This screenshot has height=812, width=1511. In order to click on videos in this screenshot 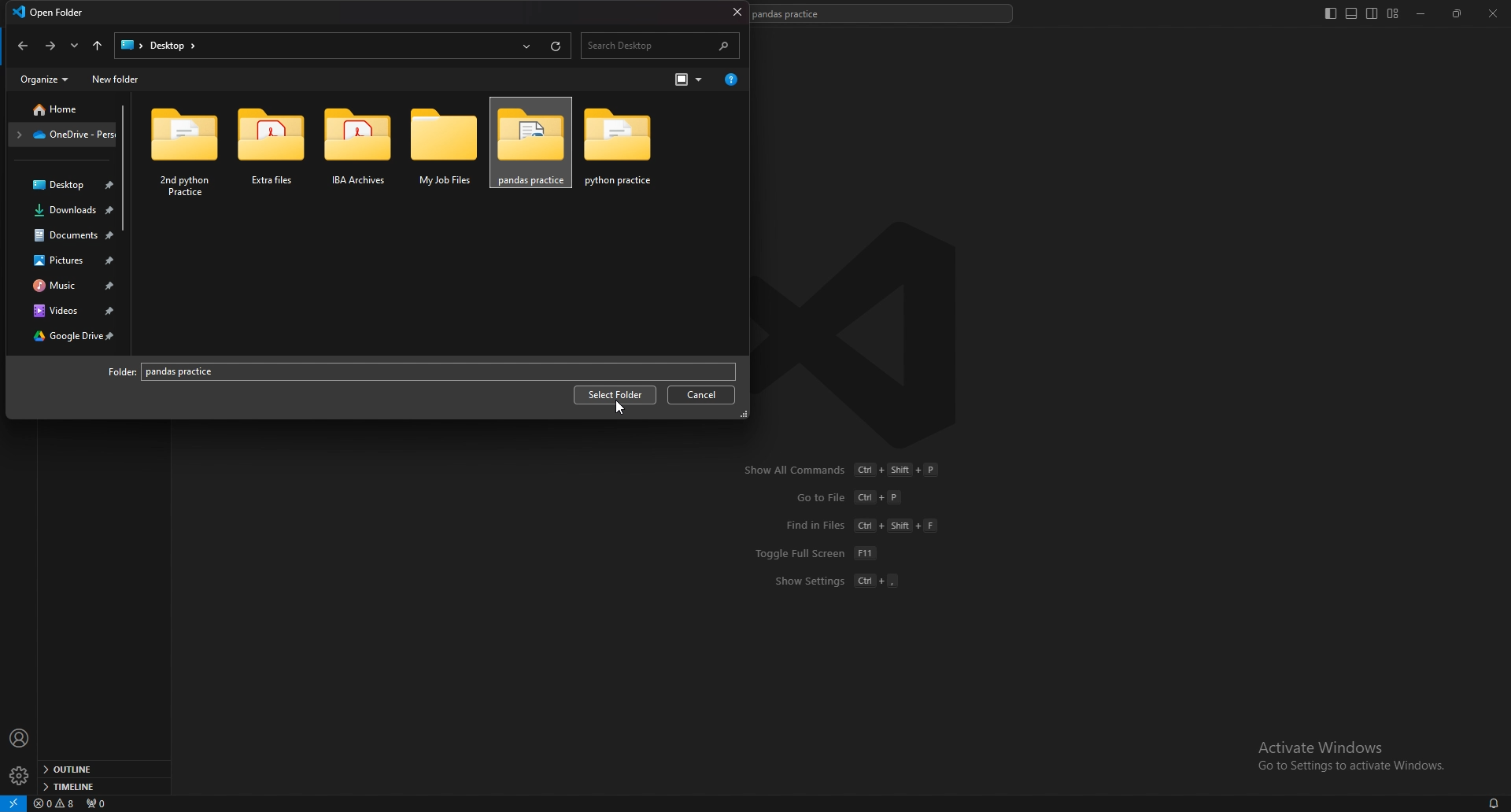, I will do `click(69, 310)`.